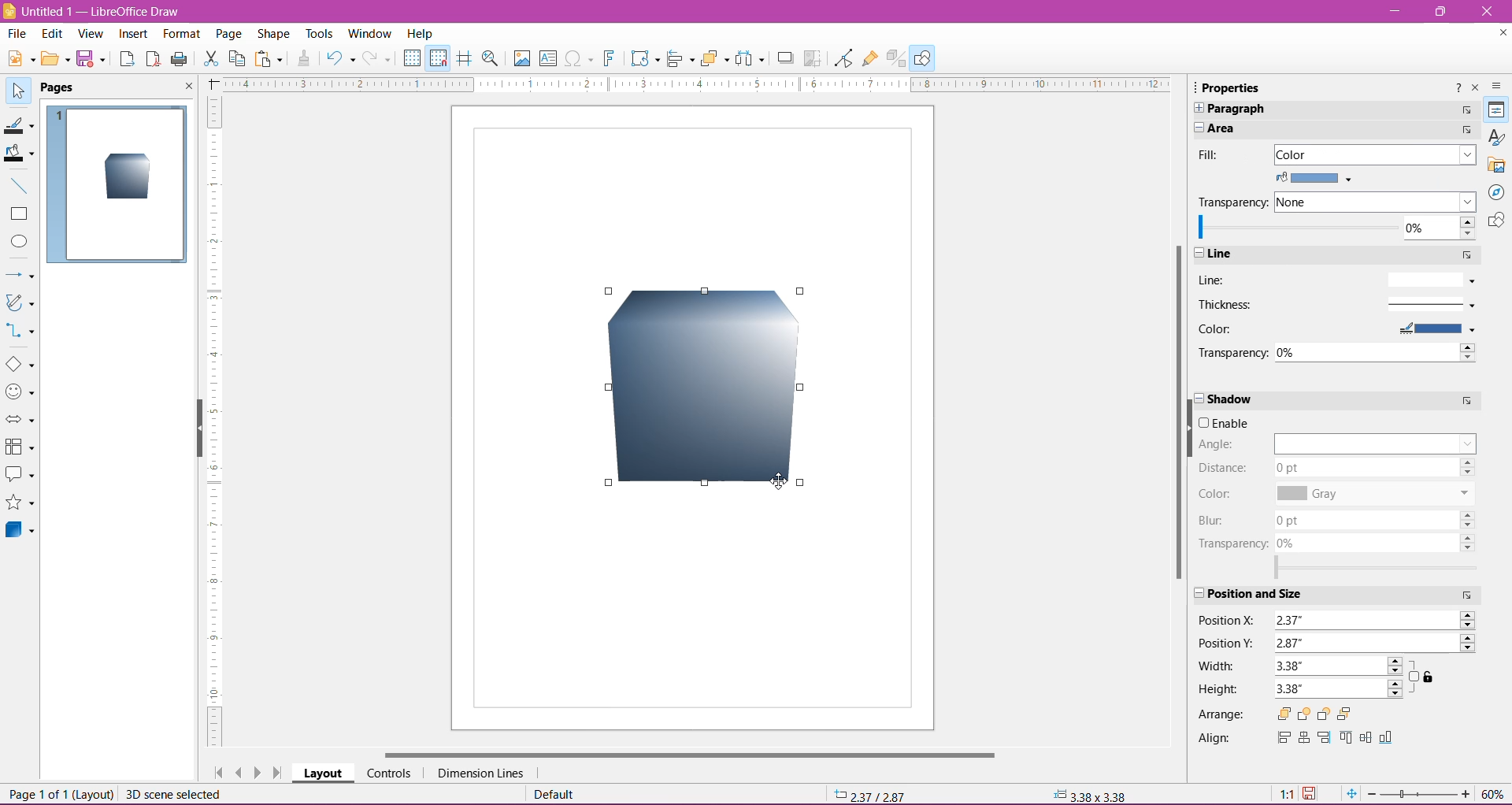 This screenshot has height=805, width=1512. Describe the element at coordinates (1217, 666) in the screenshot. I see `Width` at that location.